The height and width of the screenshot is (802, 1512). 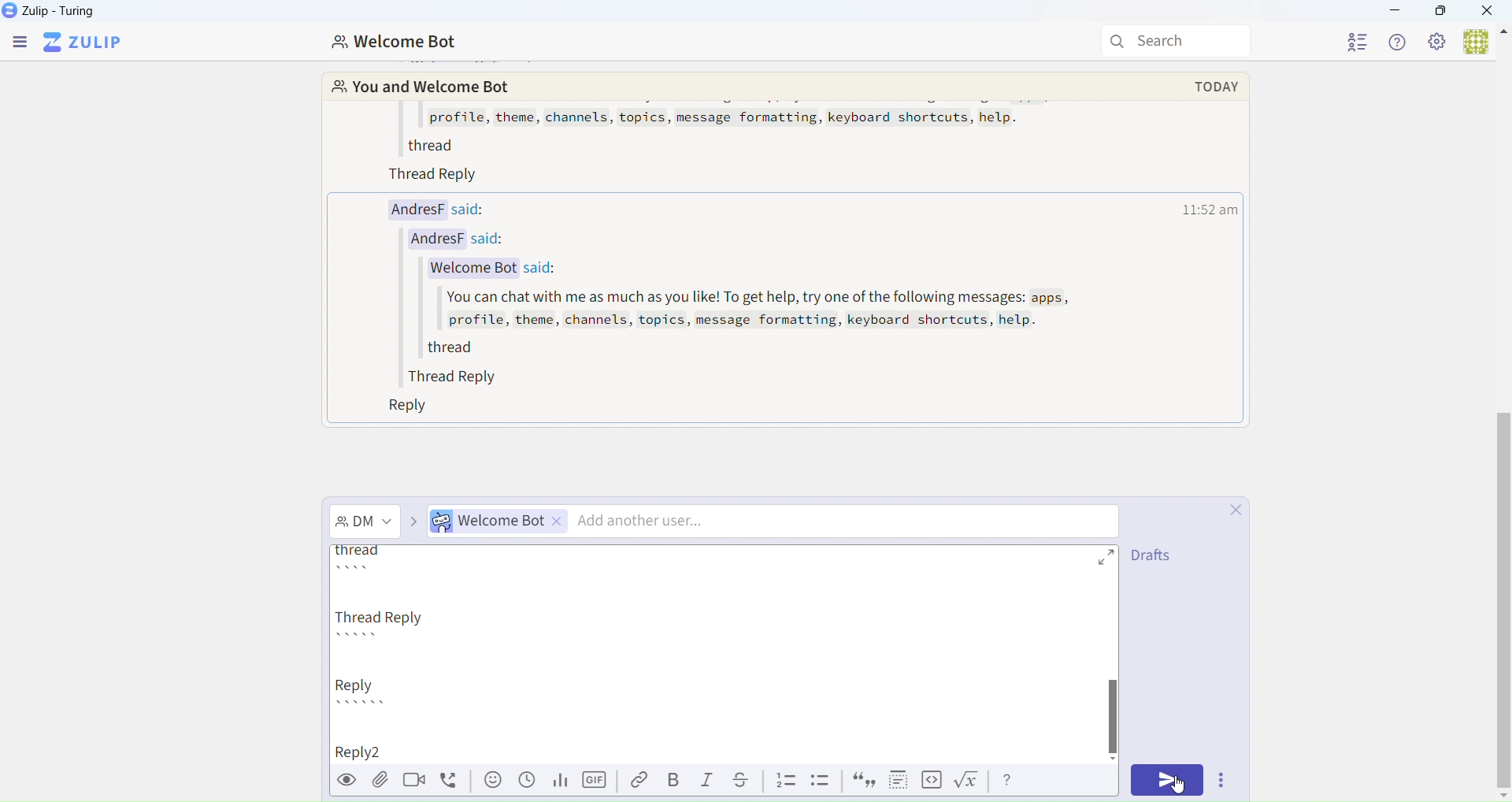 What do you see at coordinates (785, 781) in the screenshot?
I see `List` at bounding box center [785, 781].